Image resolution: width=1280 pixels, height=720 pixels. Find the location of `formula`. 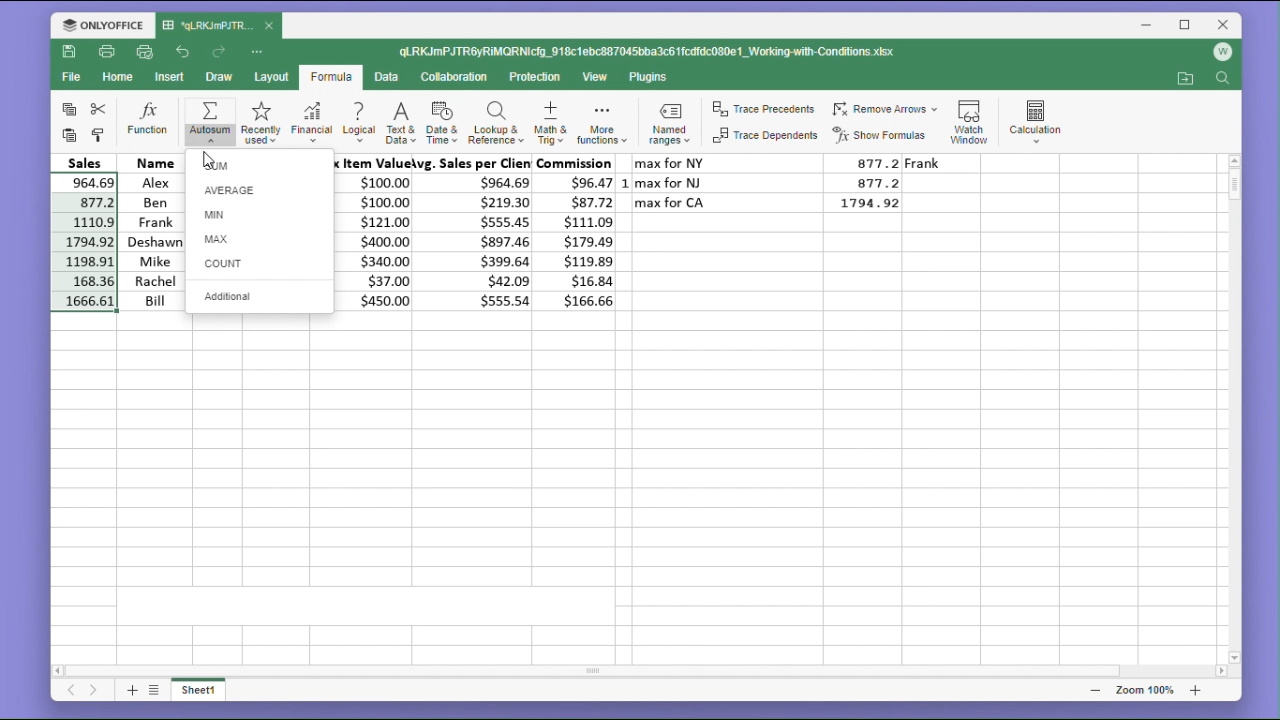

formula is located at coordinates (330, 78).